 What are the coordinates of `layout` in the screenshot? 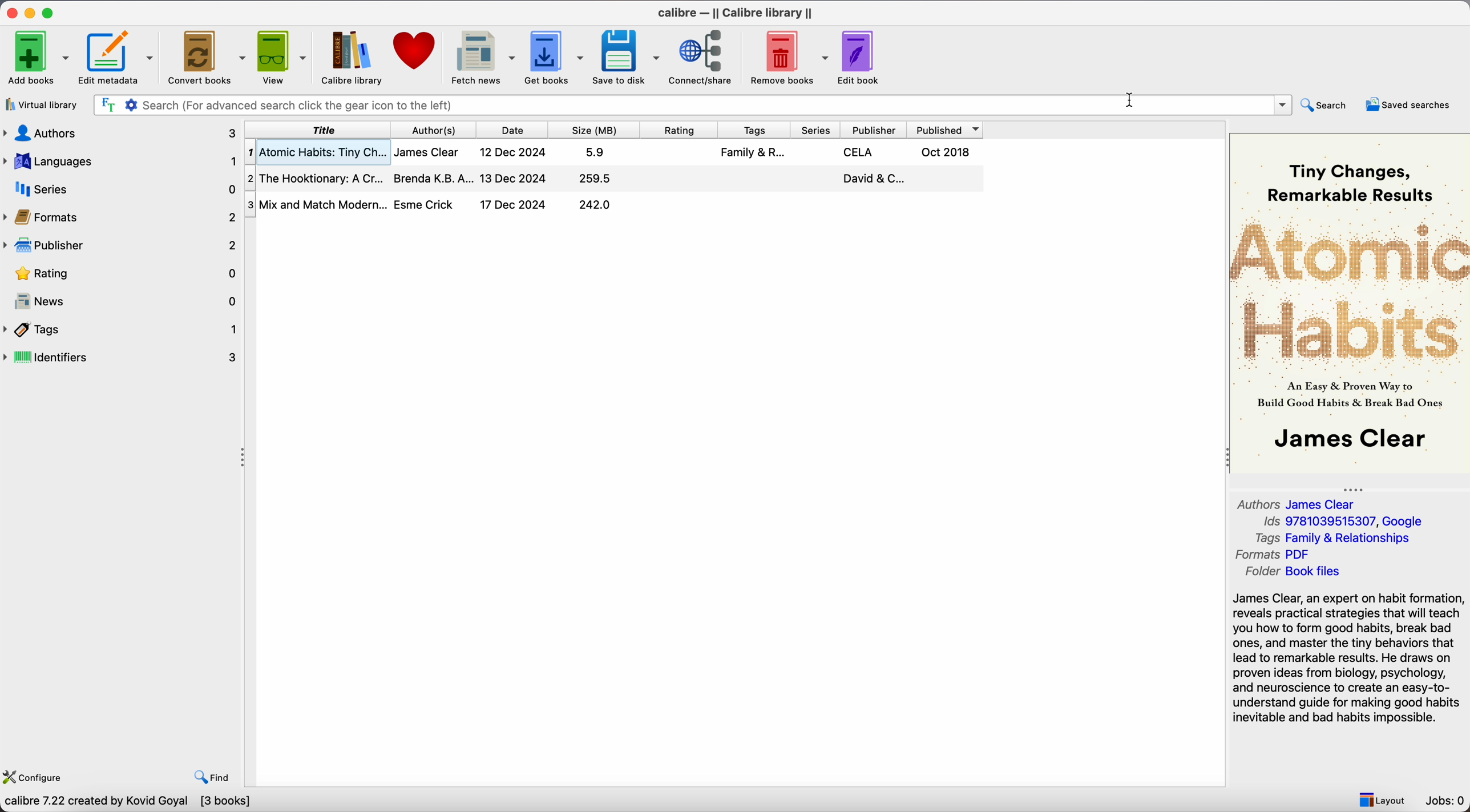 It's located at (1382, 800).